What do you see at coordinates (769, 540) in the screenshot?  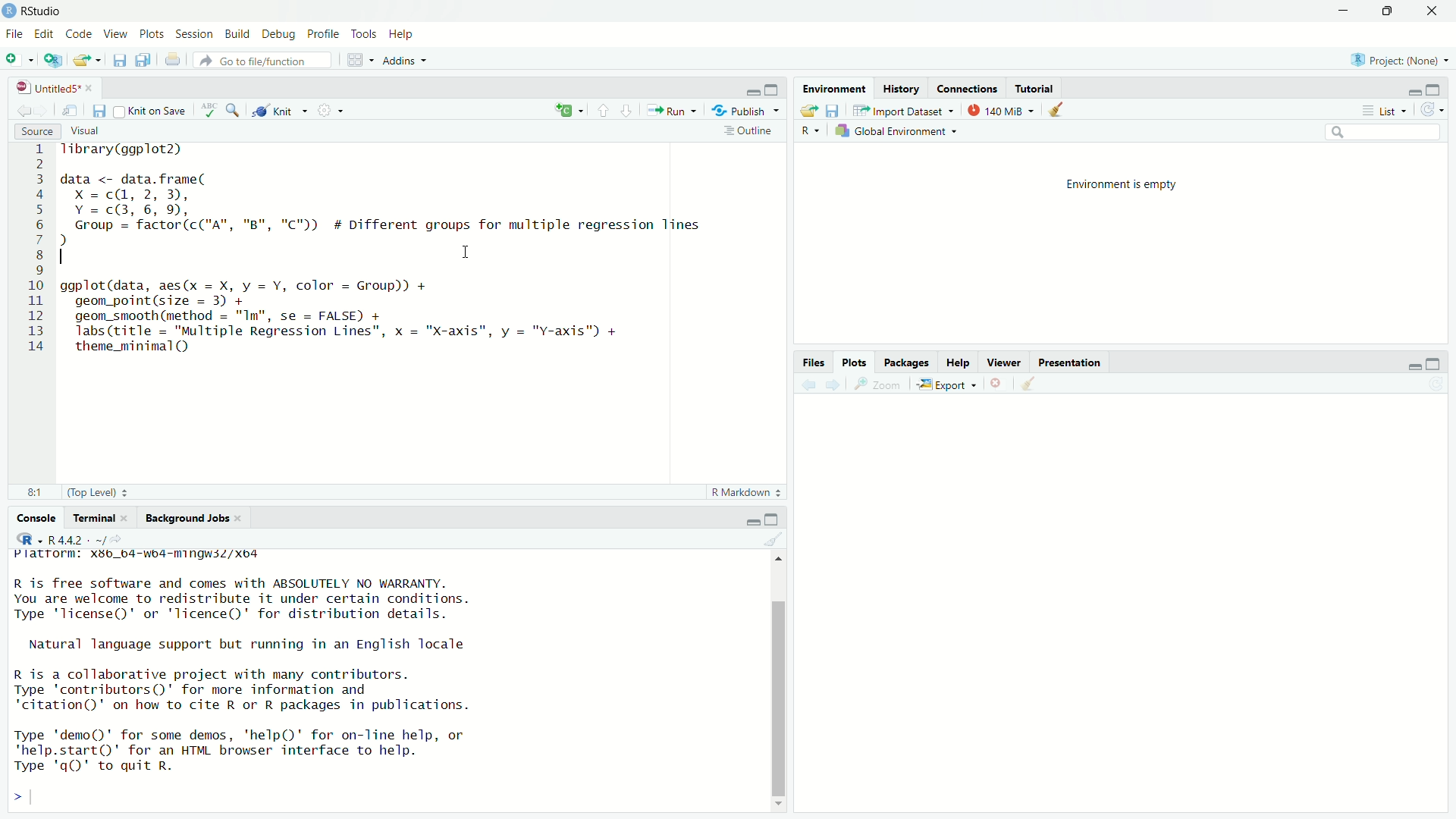 I see `clear` at bounding box center [769, 540].